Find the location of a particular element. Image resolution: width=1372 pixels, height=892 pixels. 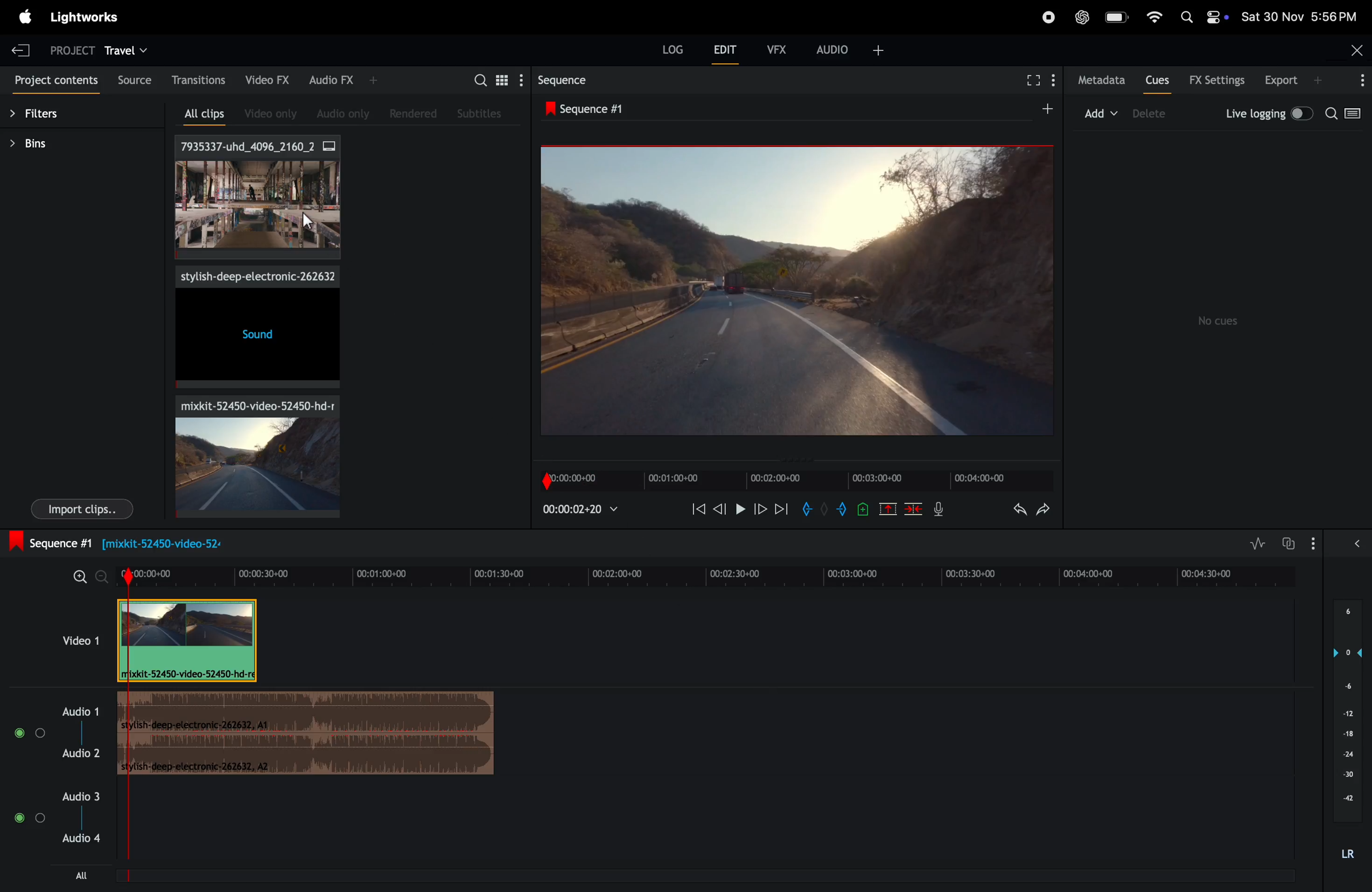

battery is located at coordinates (1118, 18).